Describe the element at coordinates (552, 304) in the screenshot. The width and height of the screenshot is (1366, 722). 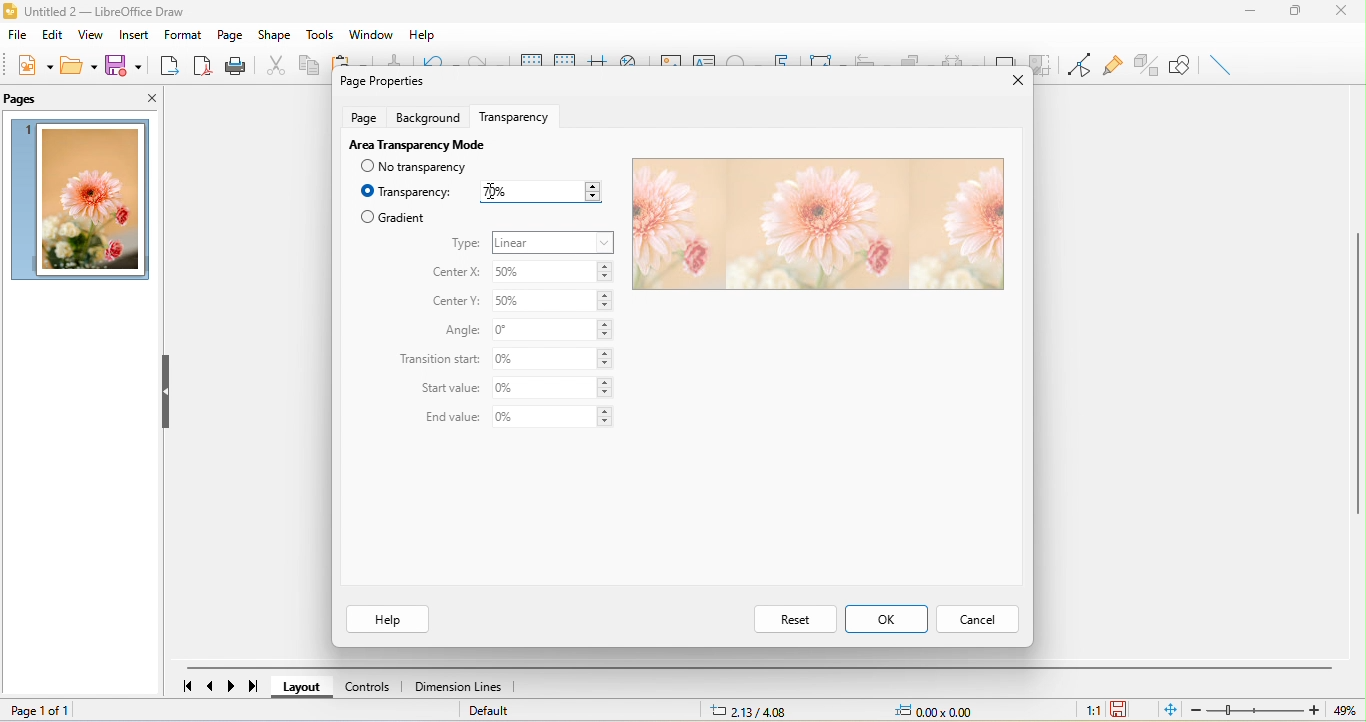
I see `50%` at that location.